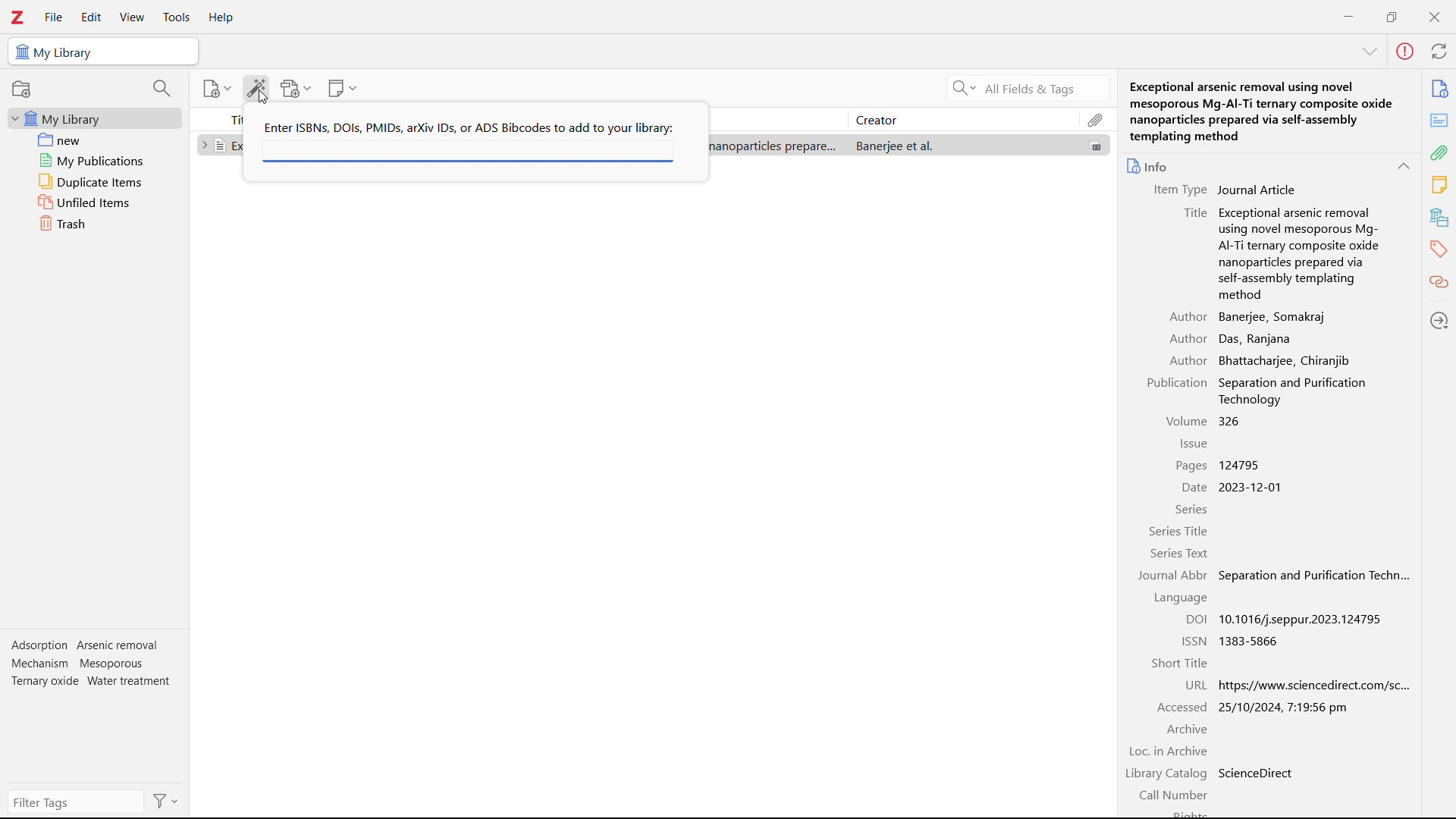  What do you see at coordinates (175, 17) in the screenshot?
I see `tools` at bounding box center [175, 17].